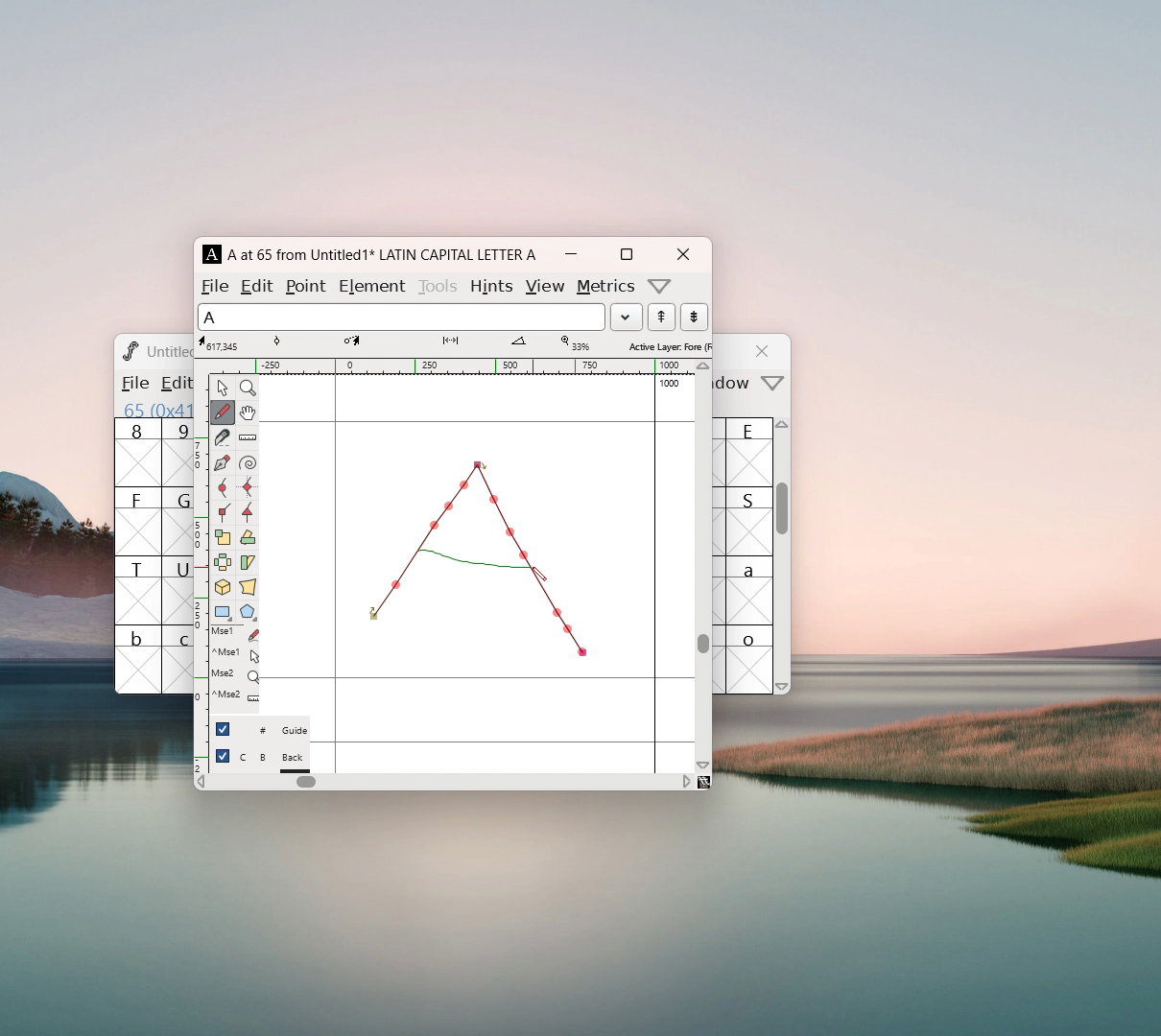  I want to click on skew selection, so click(247, 564).